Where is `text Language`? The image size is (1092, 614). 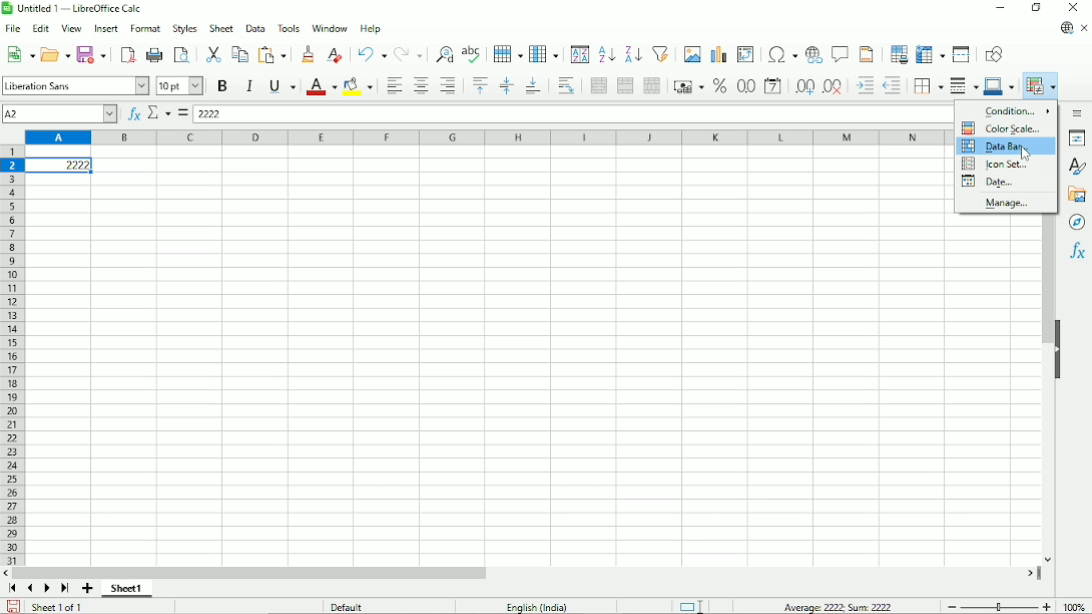
text Language is located at coordinates (537, 607).